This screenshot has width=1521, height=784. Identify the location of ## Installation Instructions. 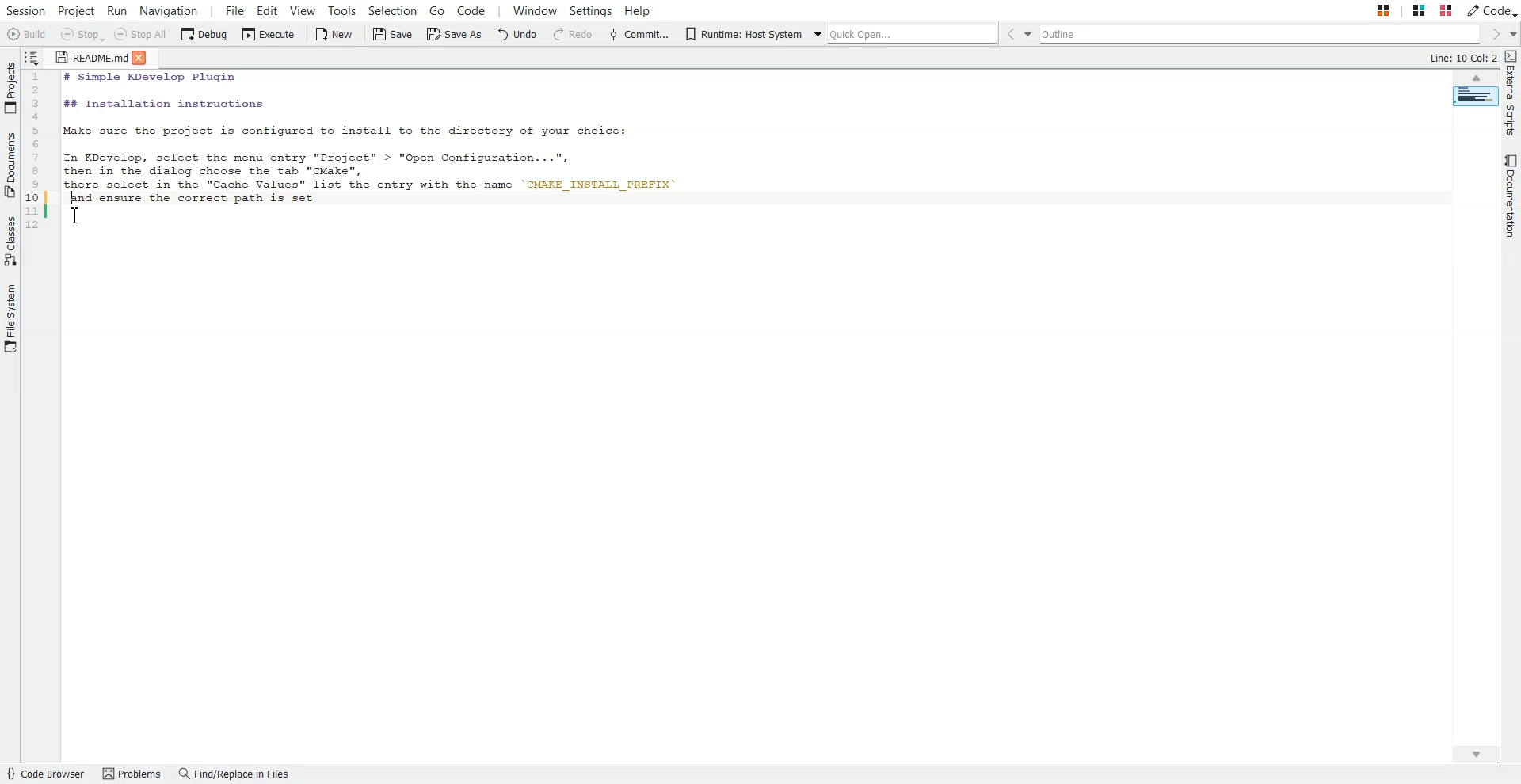
(162, 105).